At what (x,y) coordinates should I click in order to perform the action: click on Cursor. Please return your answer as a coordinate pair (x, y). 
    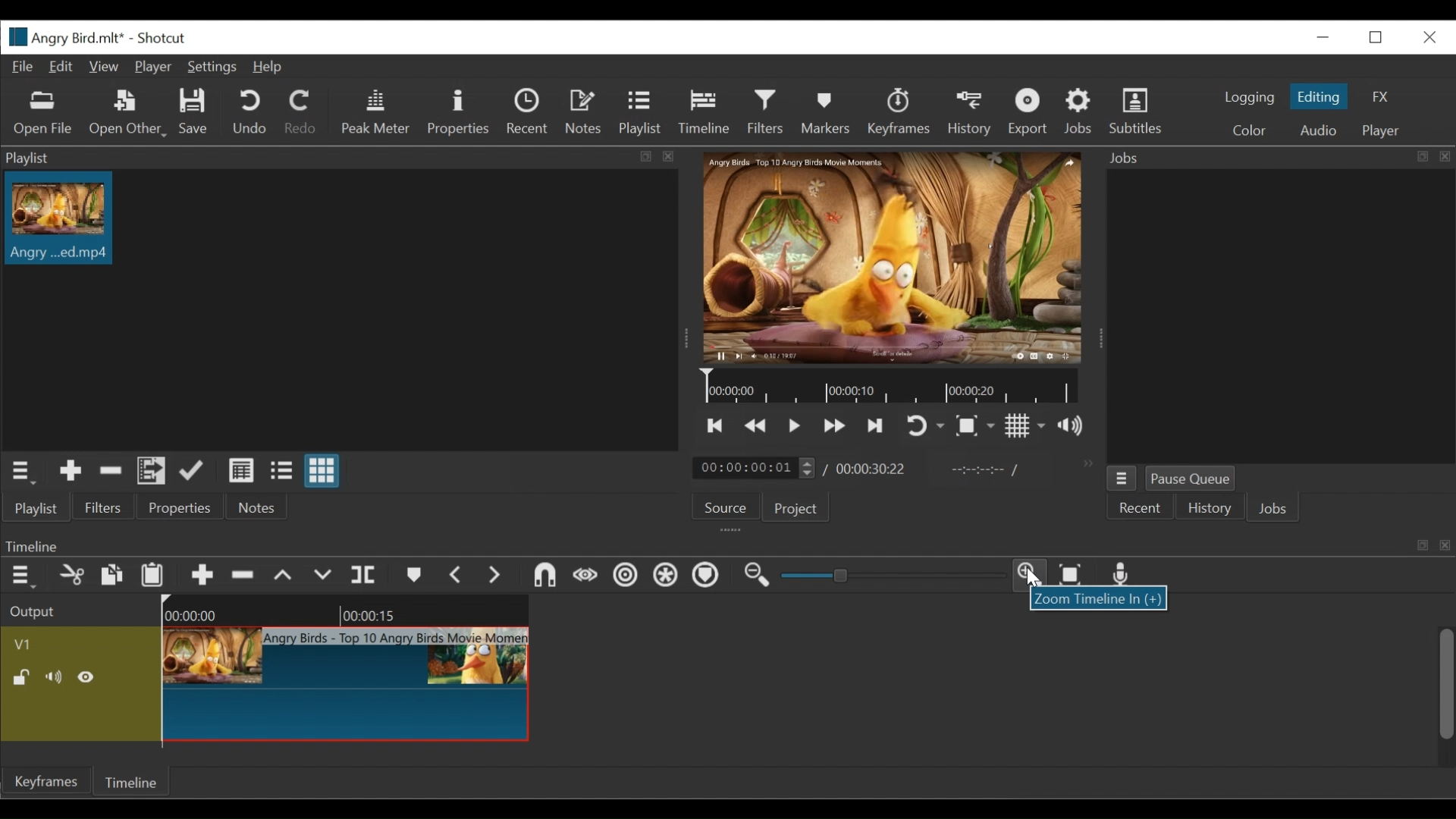
    Looking at the image, I should click on (1038, 579).